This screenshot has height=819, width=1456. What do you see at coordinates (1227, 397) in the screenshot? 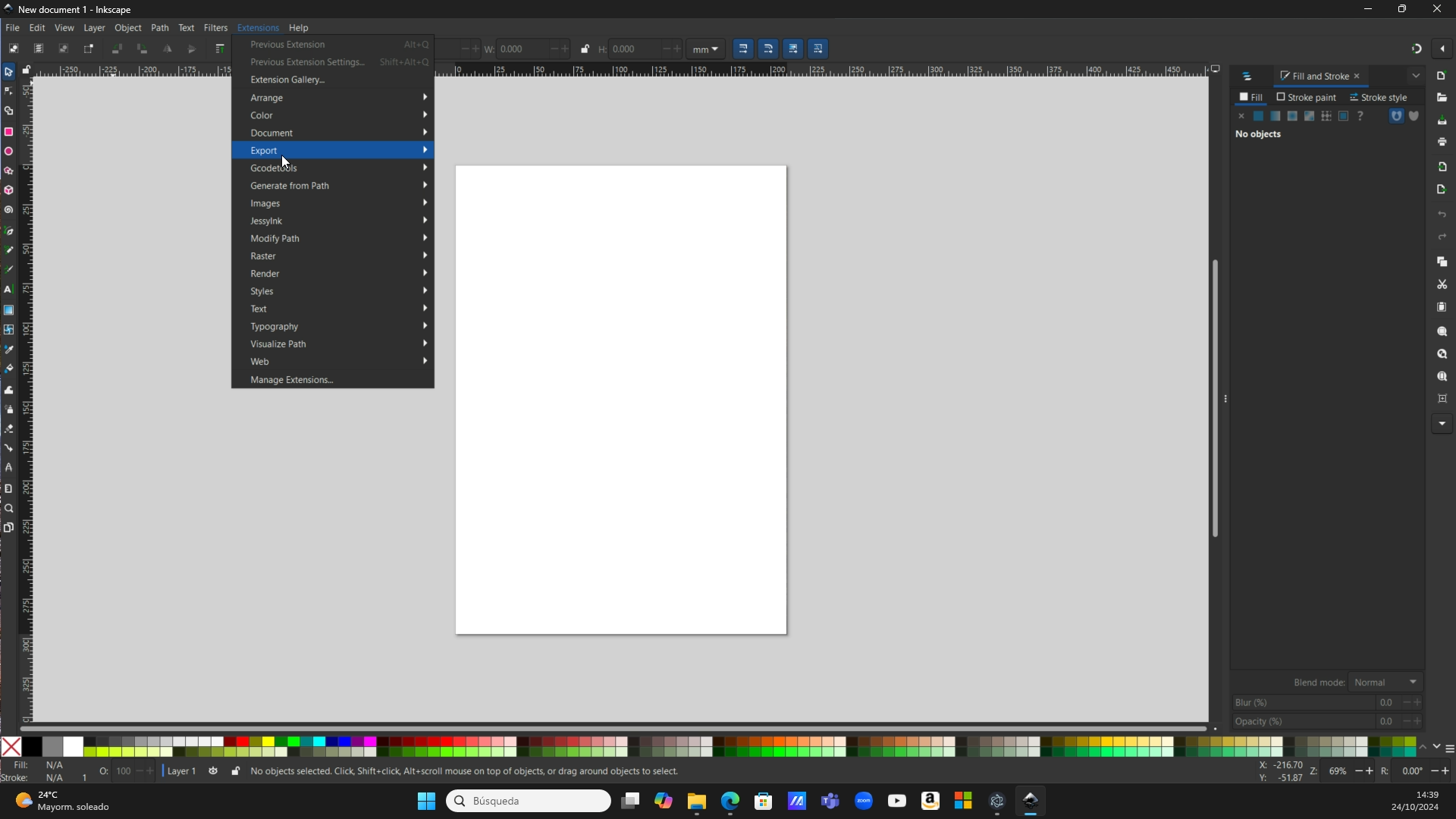
I see `collapse` at bounding box center [1227, 397].